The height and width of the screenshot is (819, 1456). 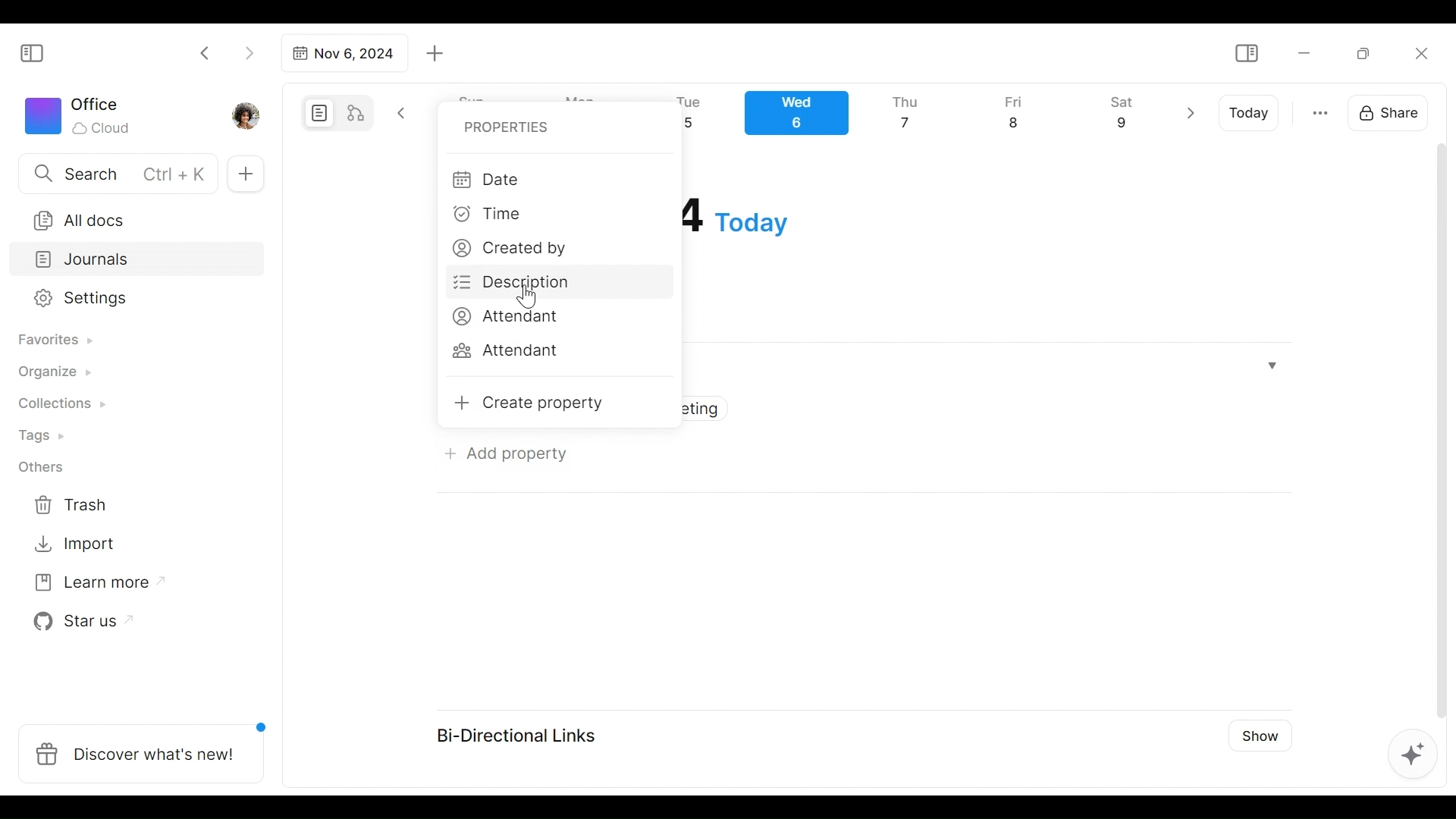 What do you see at coordinates (1320, 111) in the screenshot?
I see `more otions` at bounding box center [1320, 111].